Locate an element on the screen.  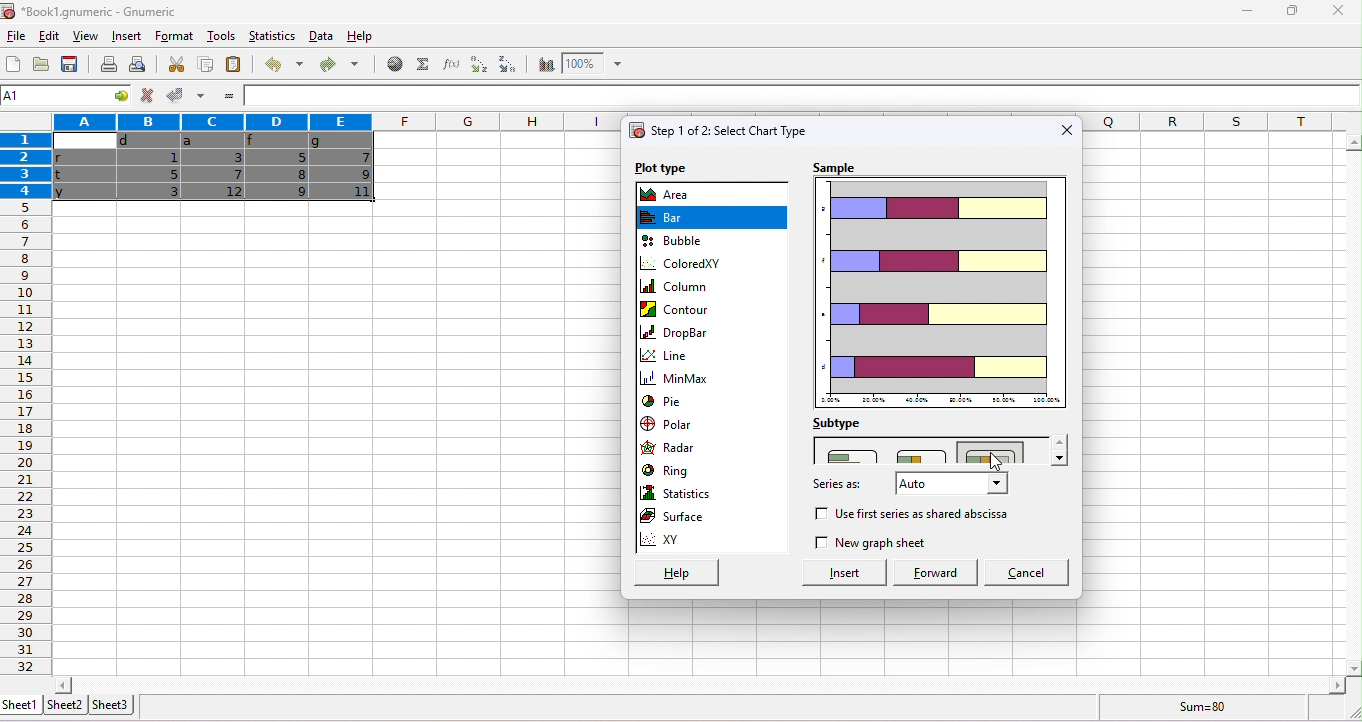
redo is located at coordinates (339, 63).